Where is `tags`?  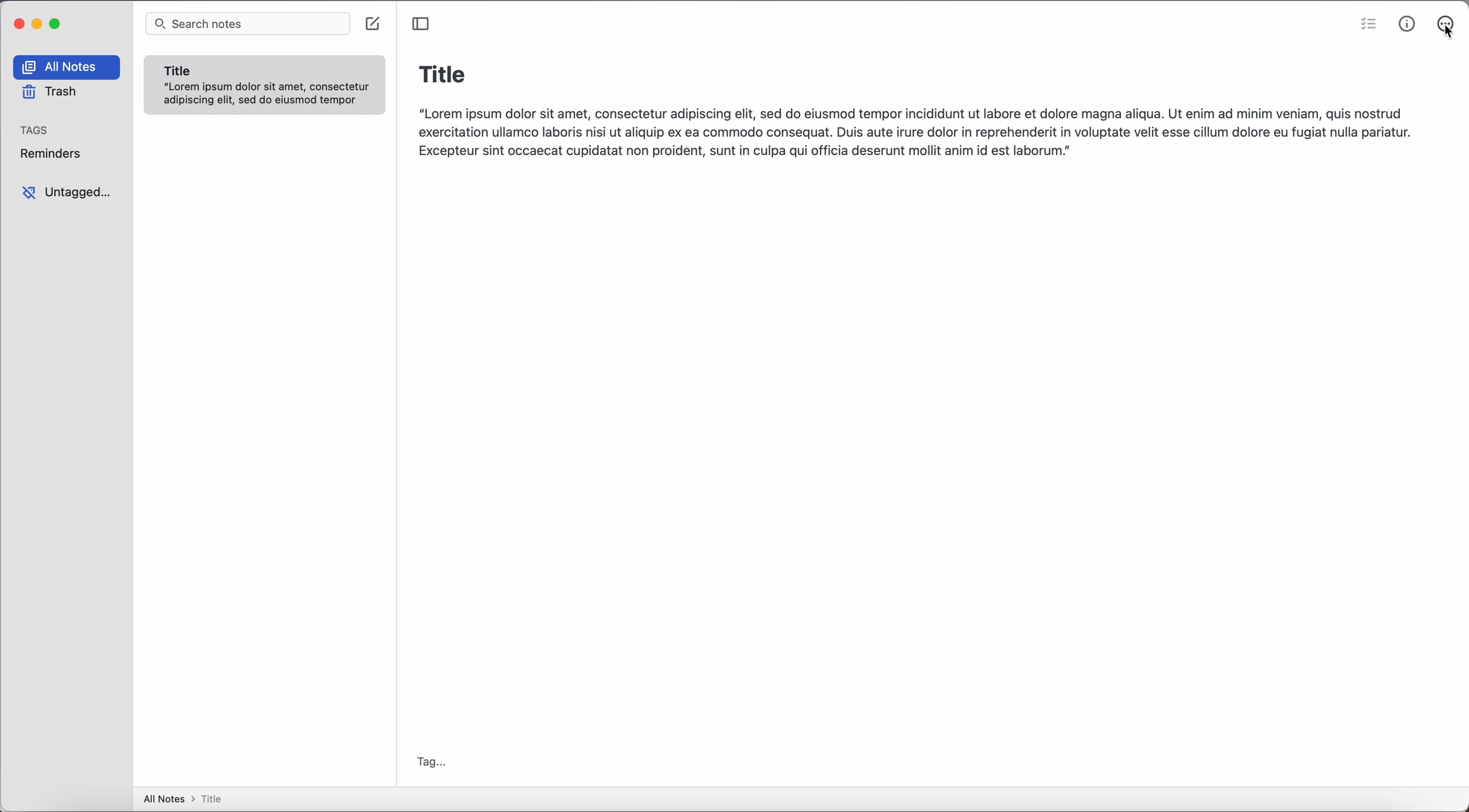 tags is located at coordinates (36, 129).